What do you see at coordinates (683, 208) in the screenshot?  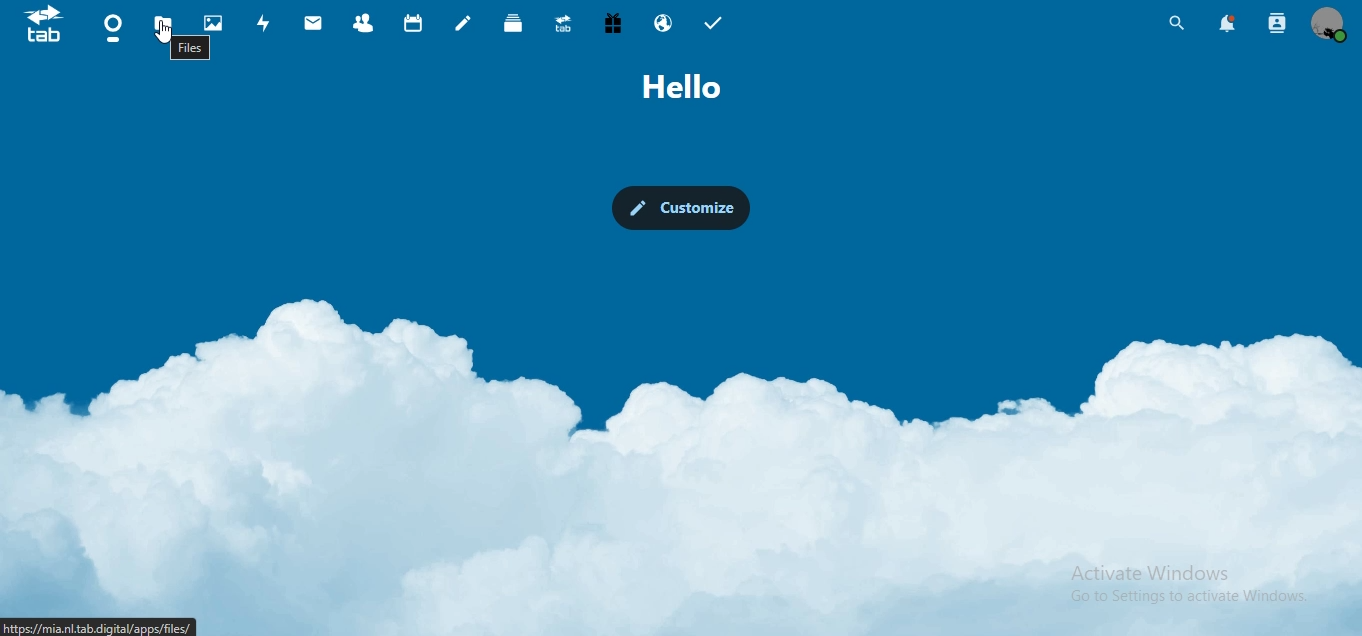 I see `customize` at bounding box center [683, 208].